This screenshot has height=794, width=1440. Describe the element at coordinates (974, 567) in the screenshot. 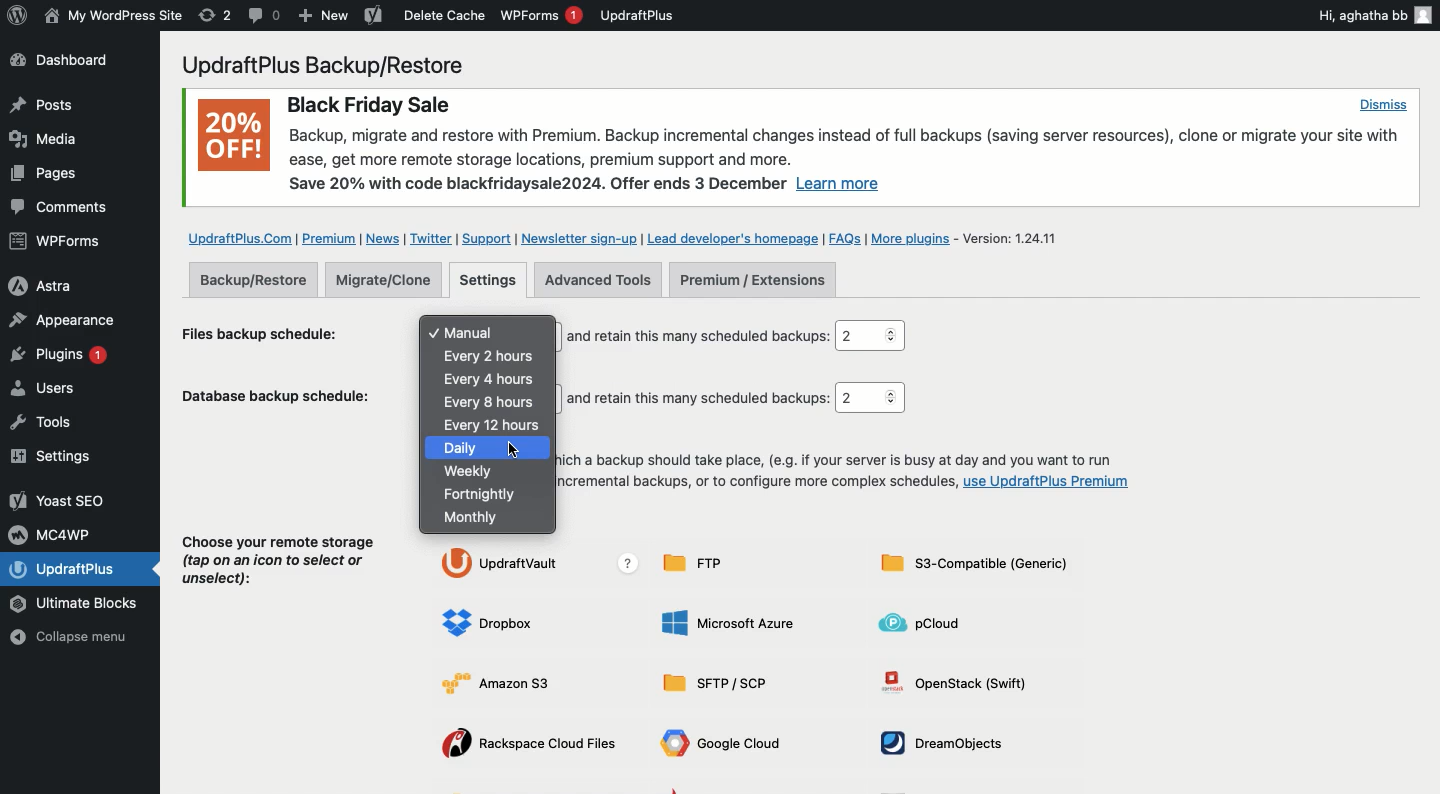

I see `S3-compatible generic` at that location.